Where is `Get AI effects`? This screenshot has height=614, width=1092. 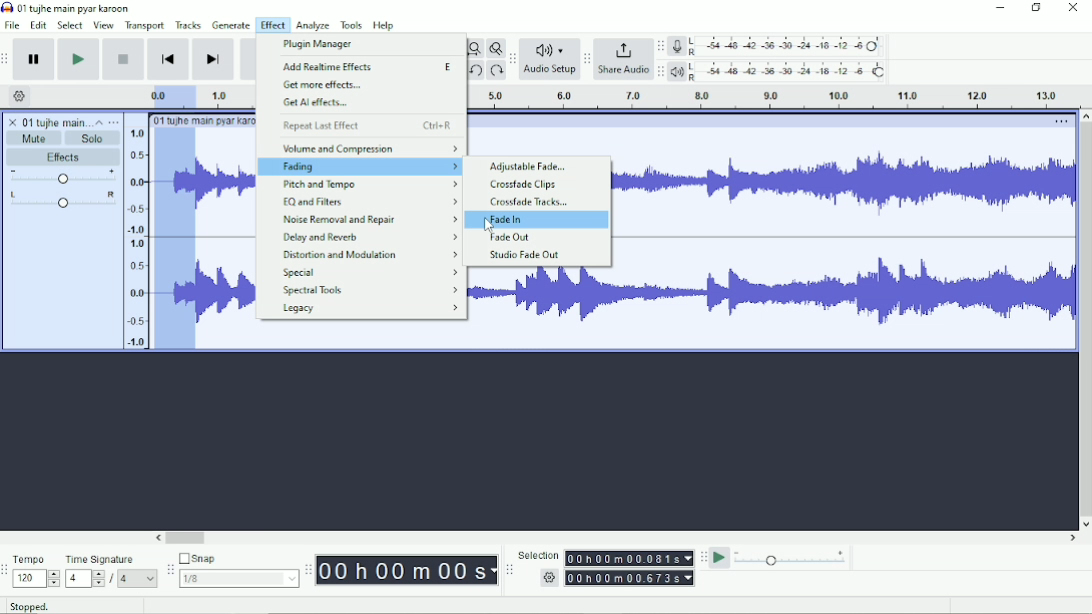 Get AI effects is located at coordinates (316, 103).